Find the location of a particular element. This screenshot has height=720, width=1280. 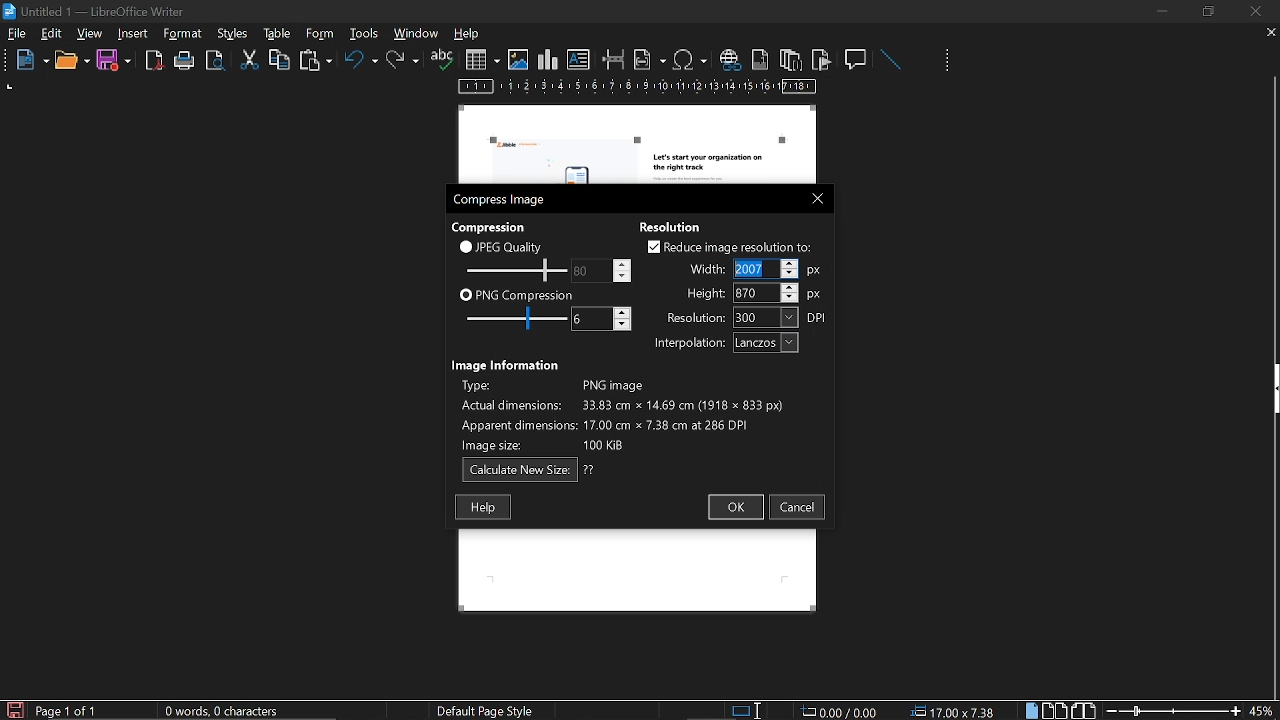

current page is located at coordinates (67, 711).